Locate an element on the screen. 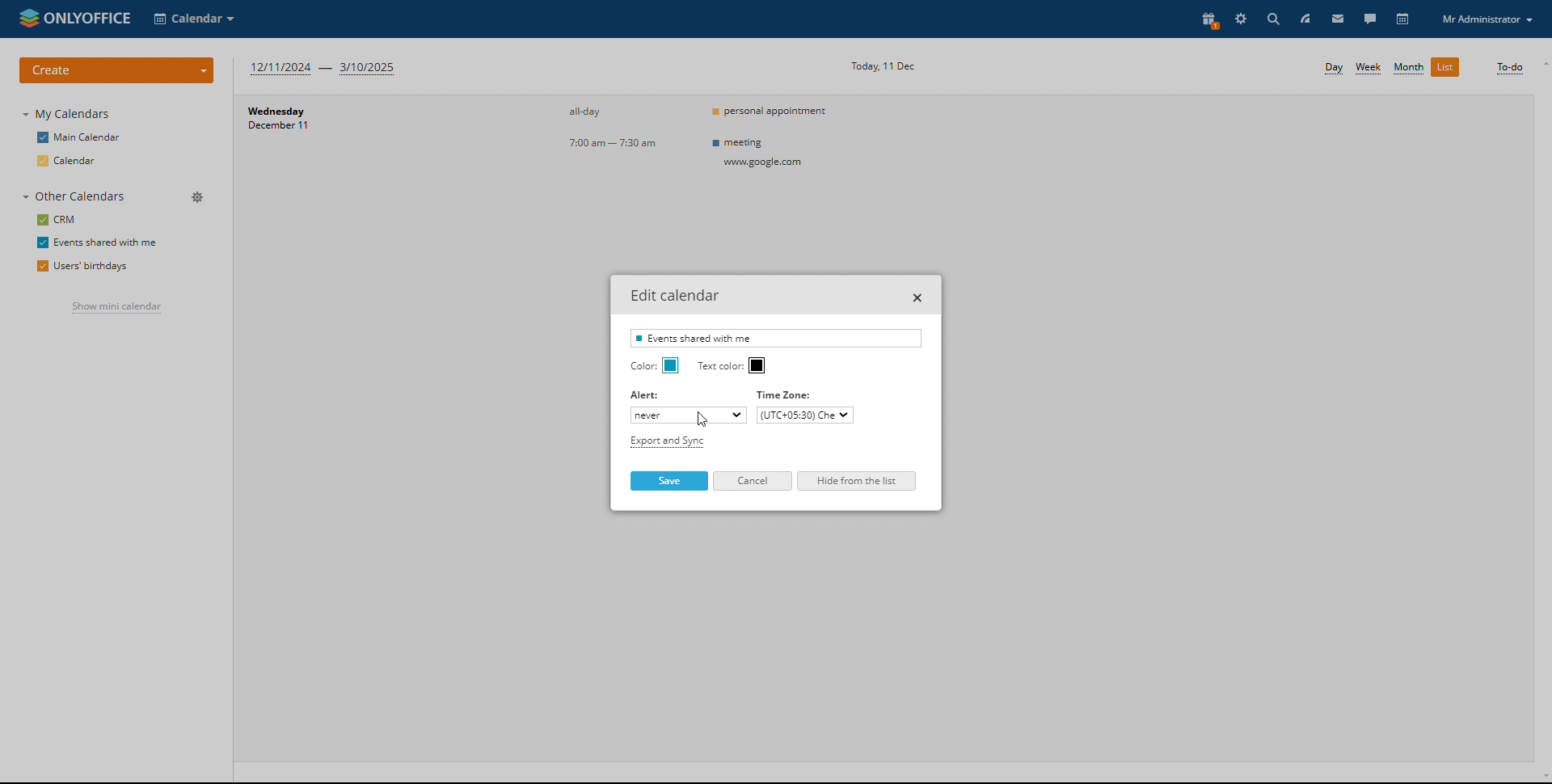 The height and width of the screenshot is (784, 1552). crm is located at coordinates (58, 220).